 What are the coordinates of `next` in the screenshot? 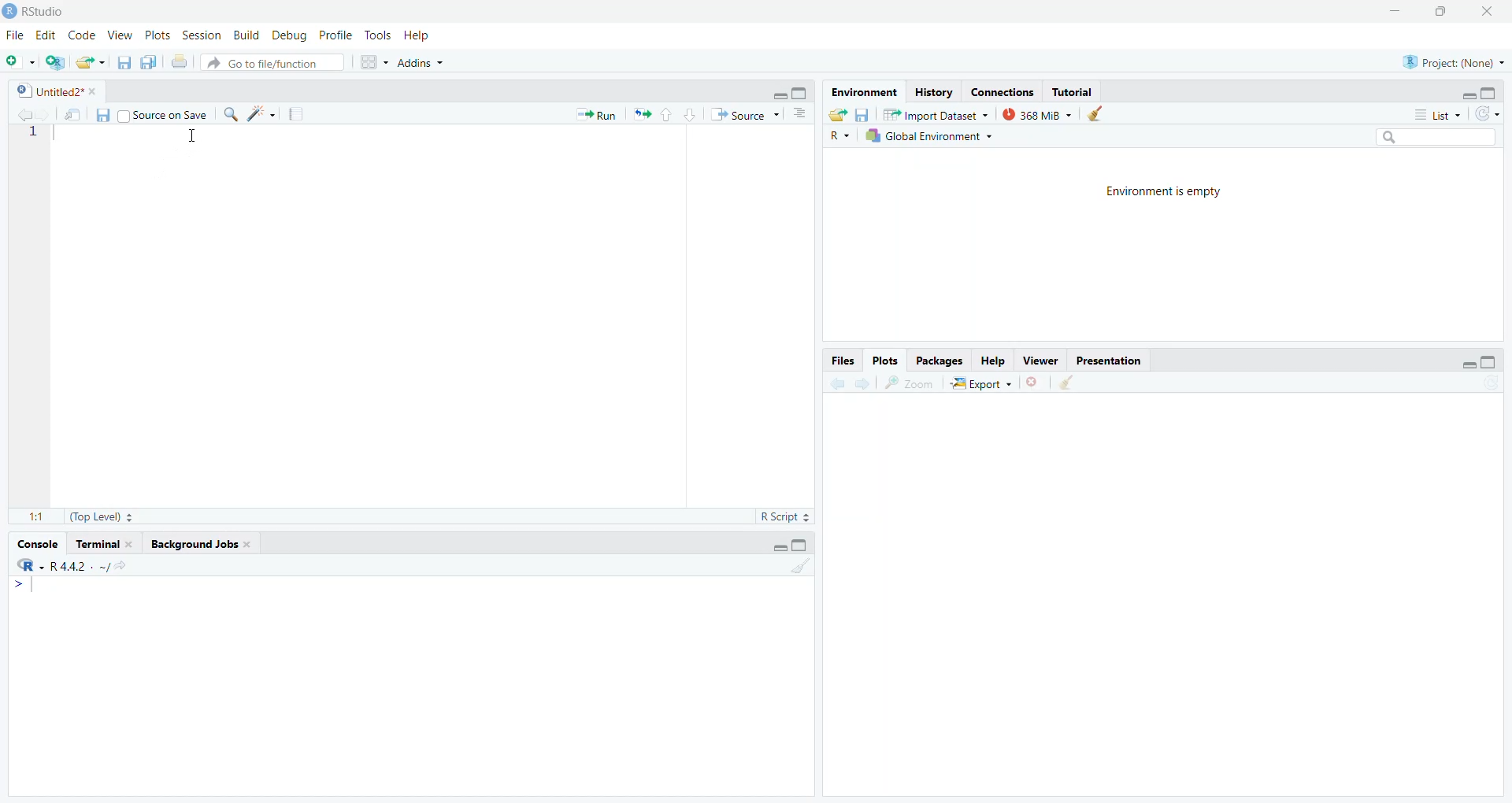 It's located at (869, 384).